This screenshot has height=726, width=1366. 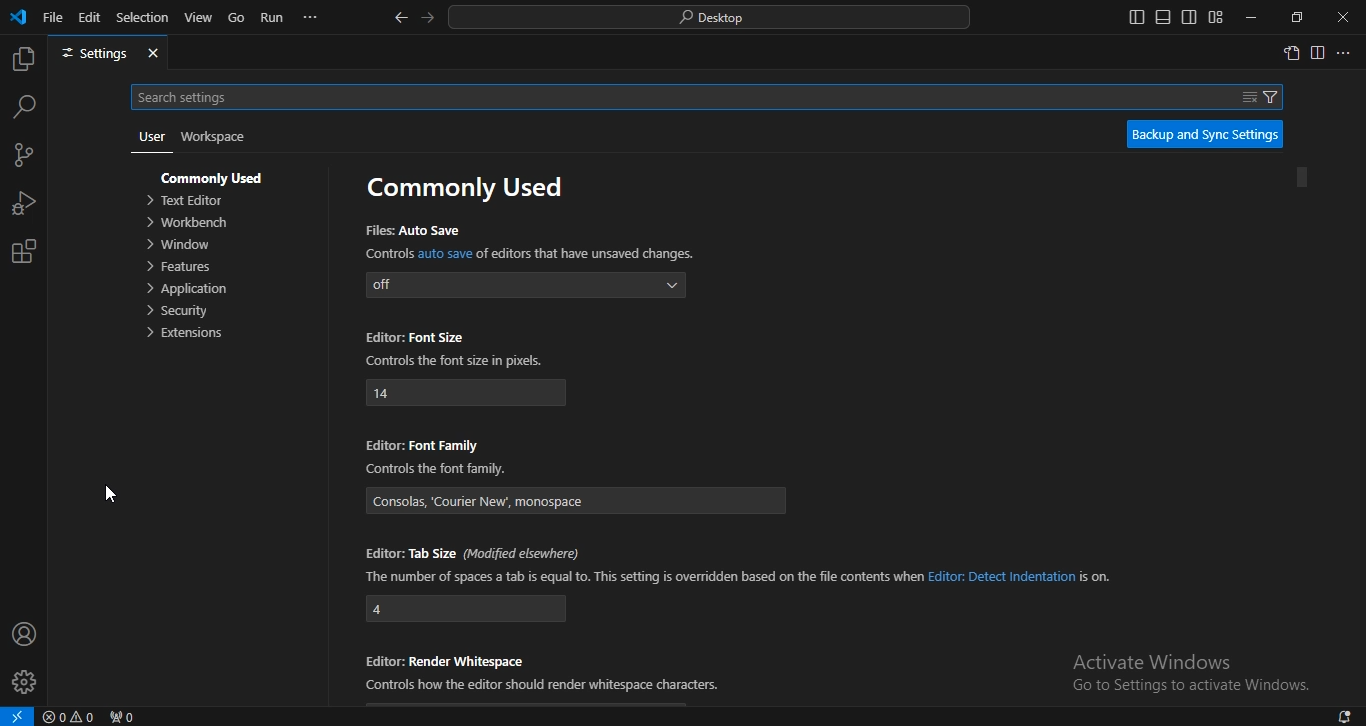 I want to click on off, so click(x=523, y=287).